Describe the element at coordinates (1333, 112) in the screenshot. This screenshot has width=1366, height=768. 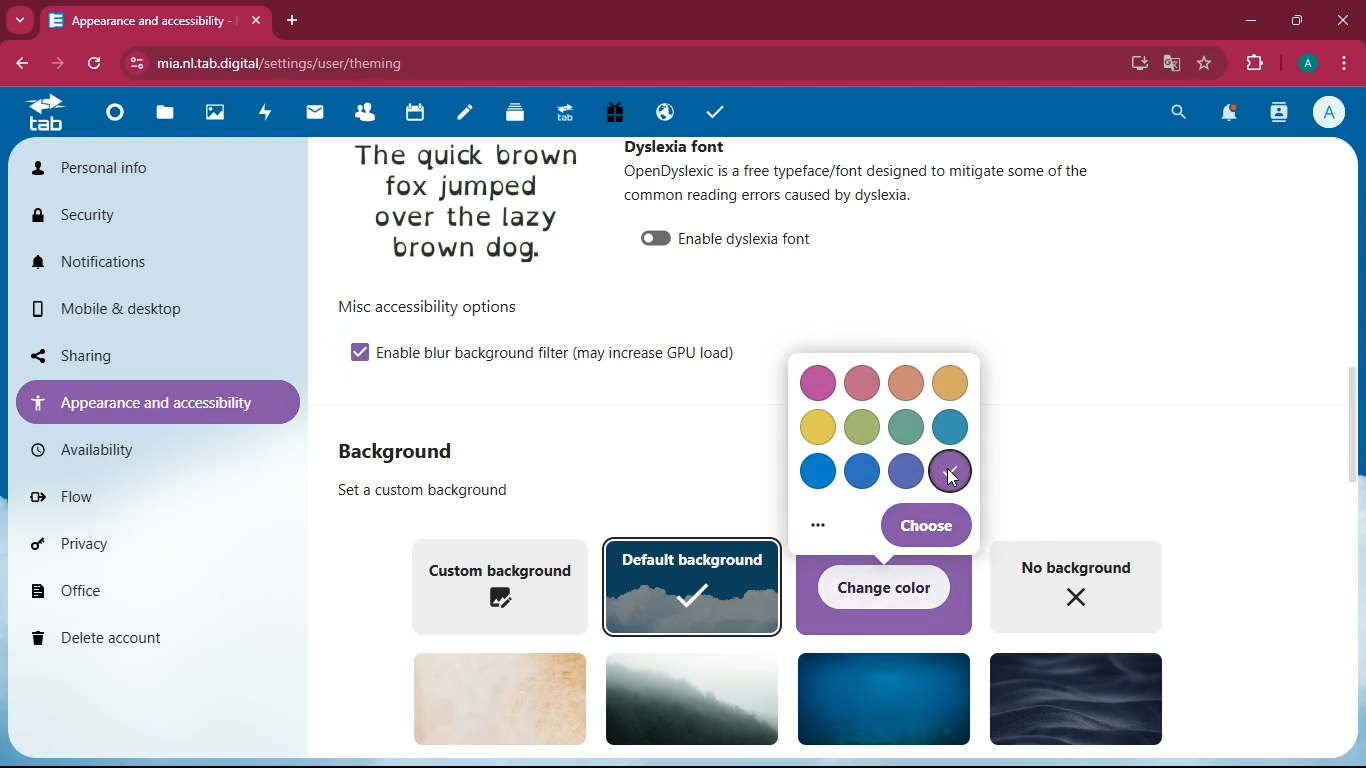
I see `profile` at that location.